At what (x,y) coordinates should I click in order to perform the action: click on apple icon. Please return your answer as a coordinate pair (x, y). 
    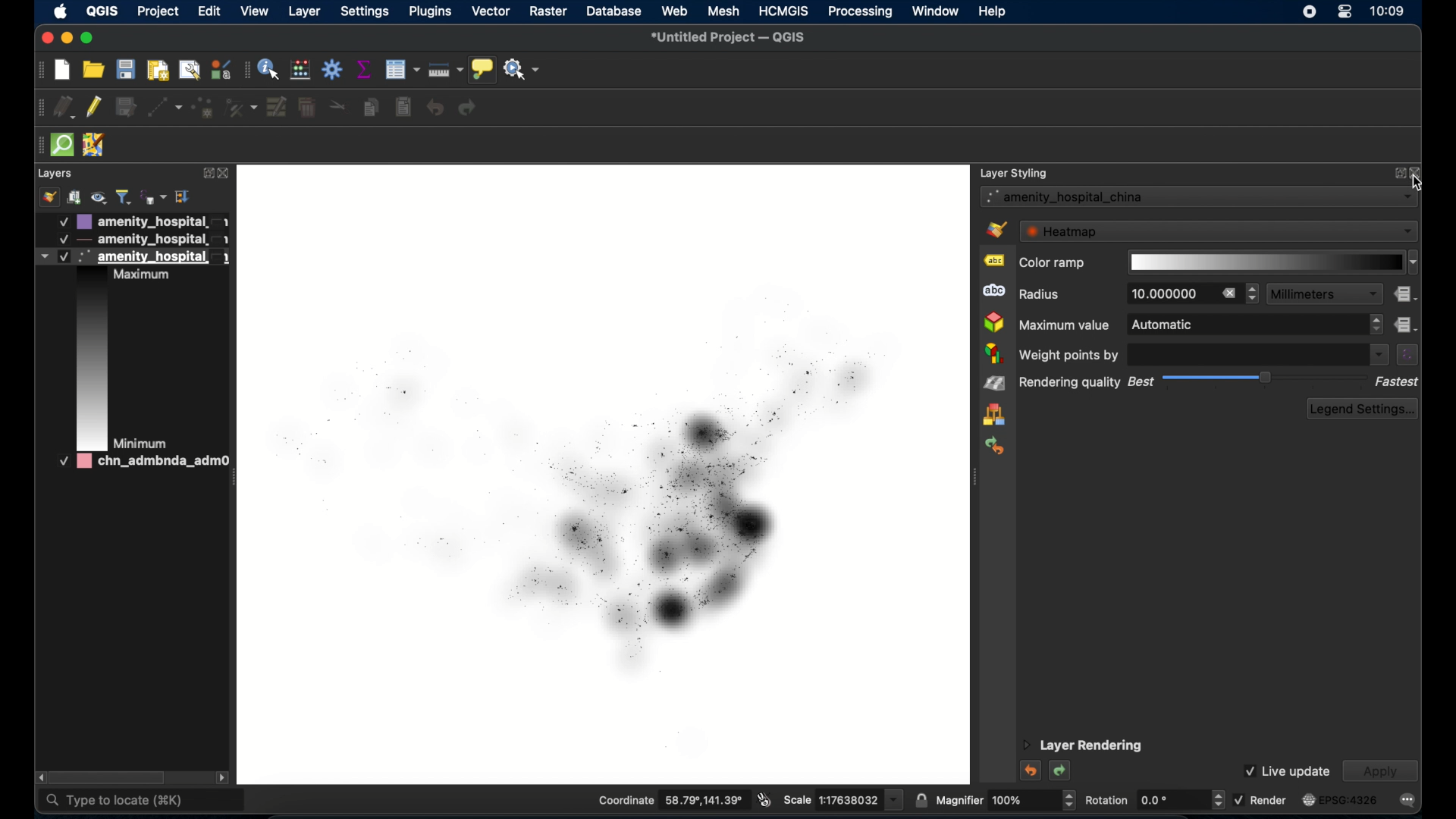
    Looking at the image, I should click on (61, 13).